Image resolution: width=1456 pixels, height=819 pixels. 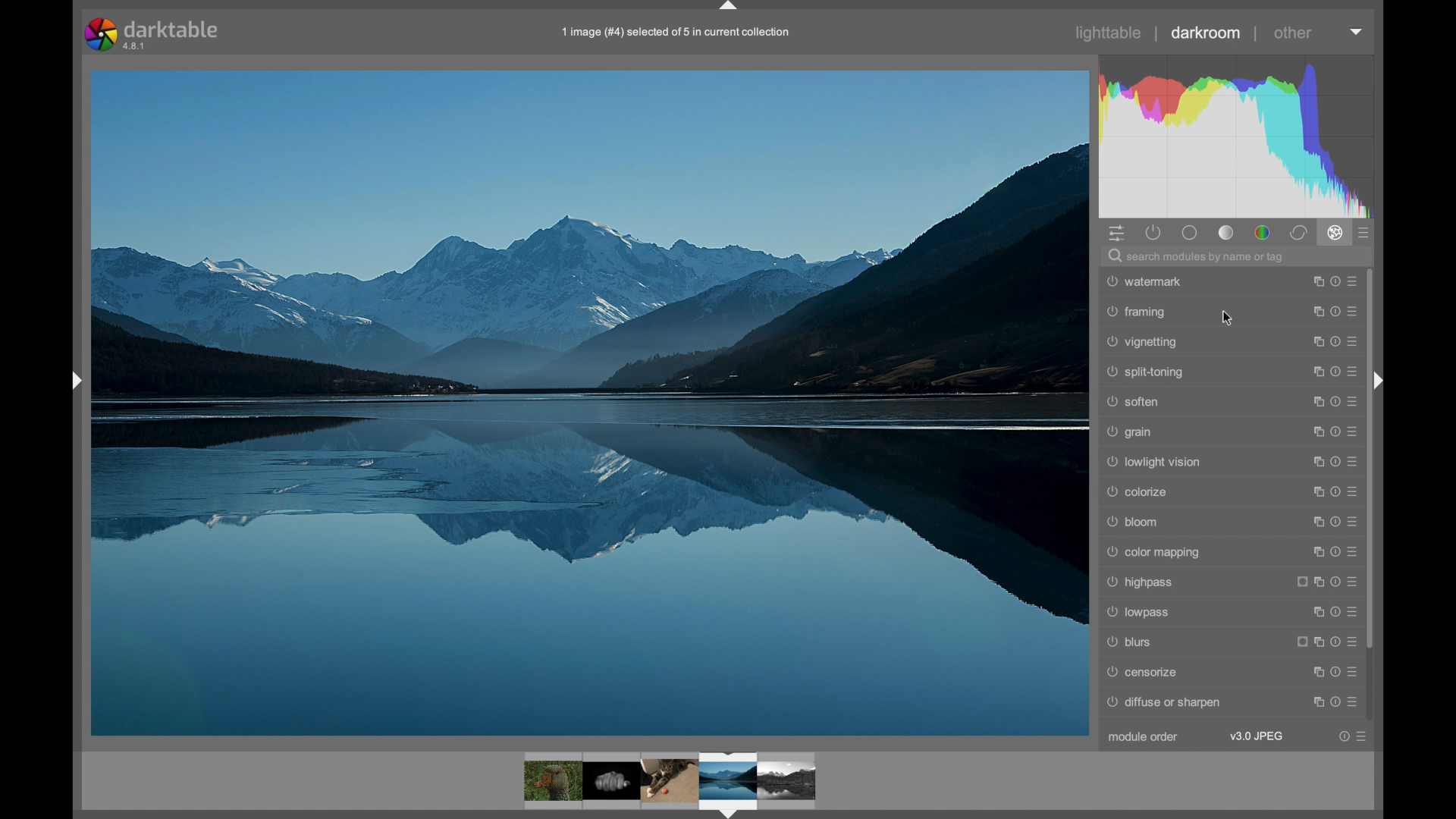 What do you see at coordinates (1335, 491) in the screenshot?
I see `more options` at bounding box center [1335, 491].